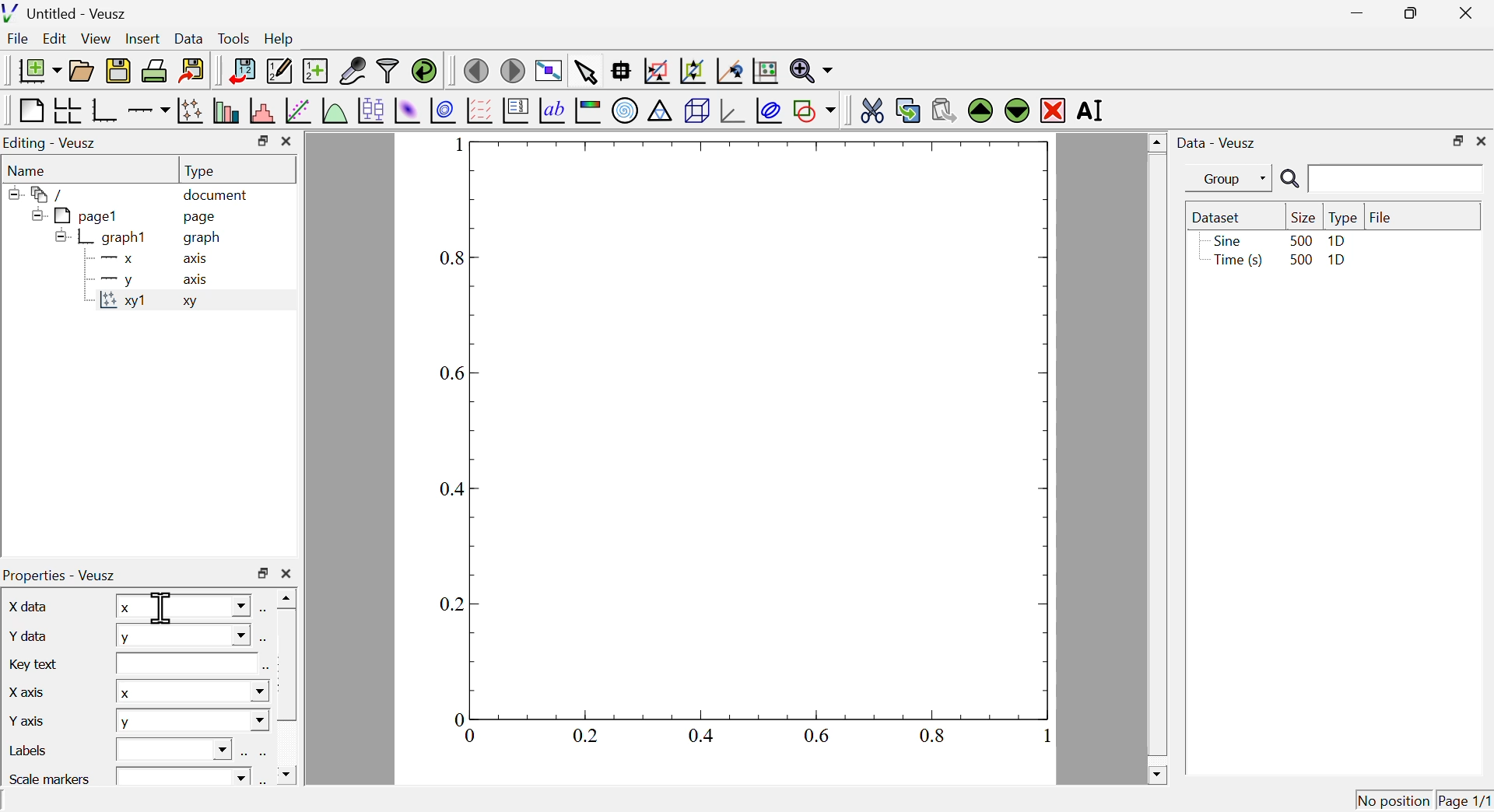  Describe the element at coordinates (53, 143) in the screenshot. I see `Editing Veusz` at that location.